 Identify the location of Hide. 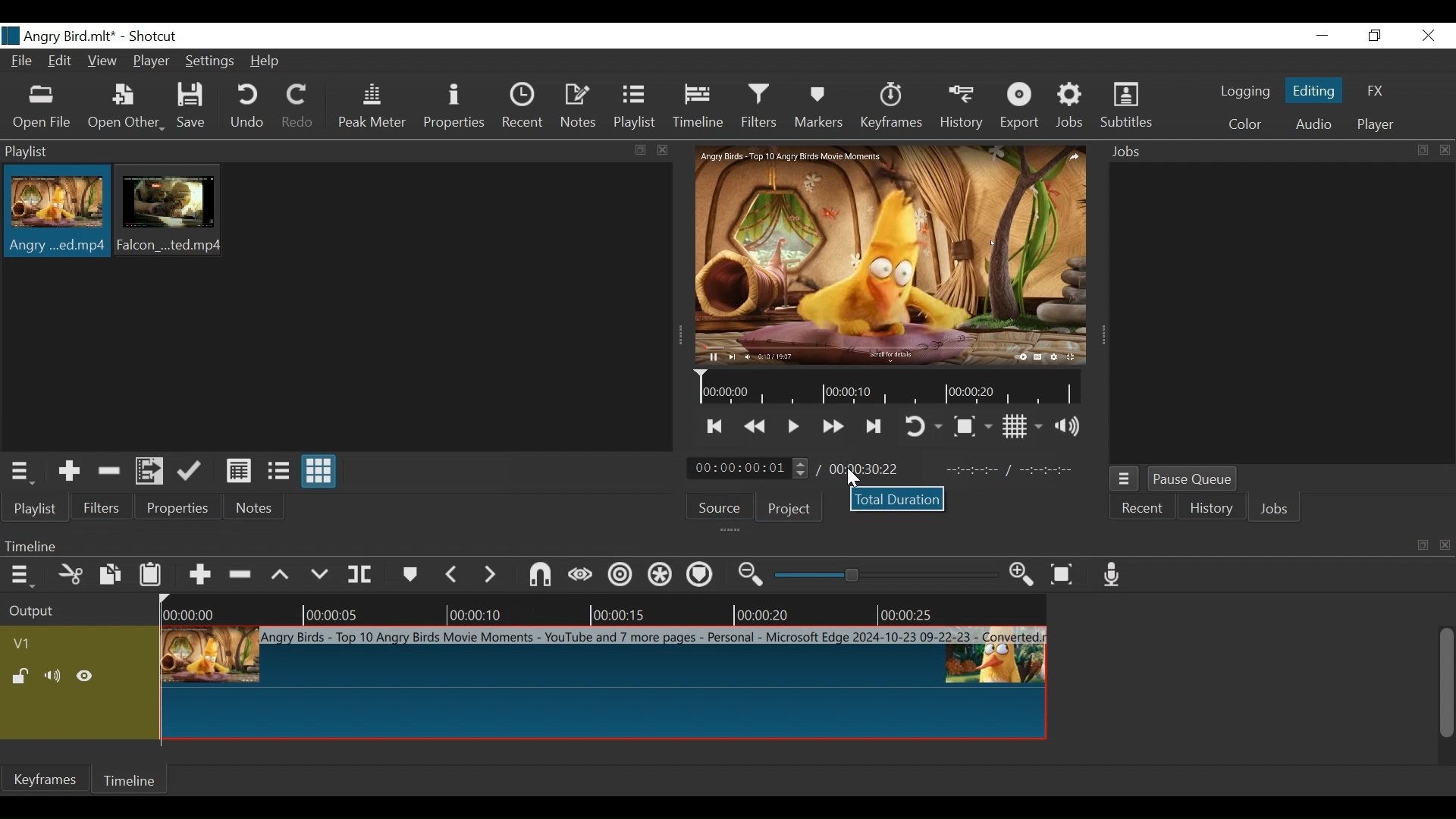
(90, 676).